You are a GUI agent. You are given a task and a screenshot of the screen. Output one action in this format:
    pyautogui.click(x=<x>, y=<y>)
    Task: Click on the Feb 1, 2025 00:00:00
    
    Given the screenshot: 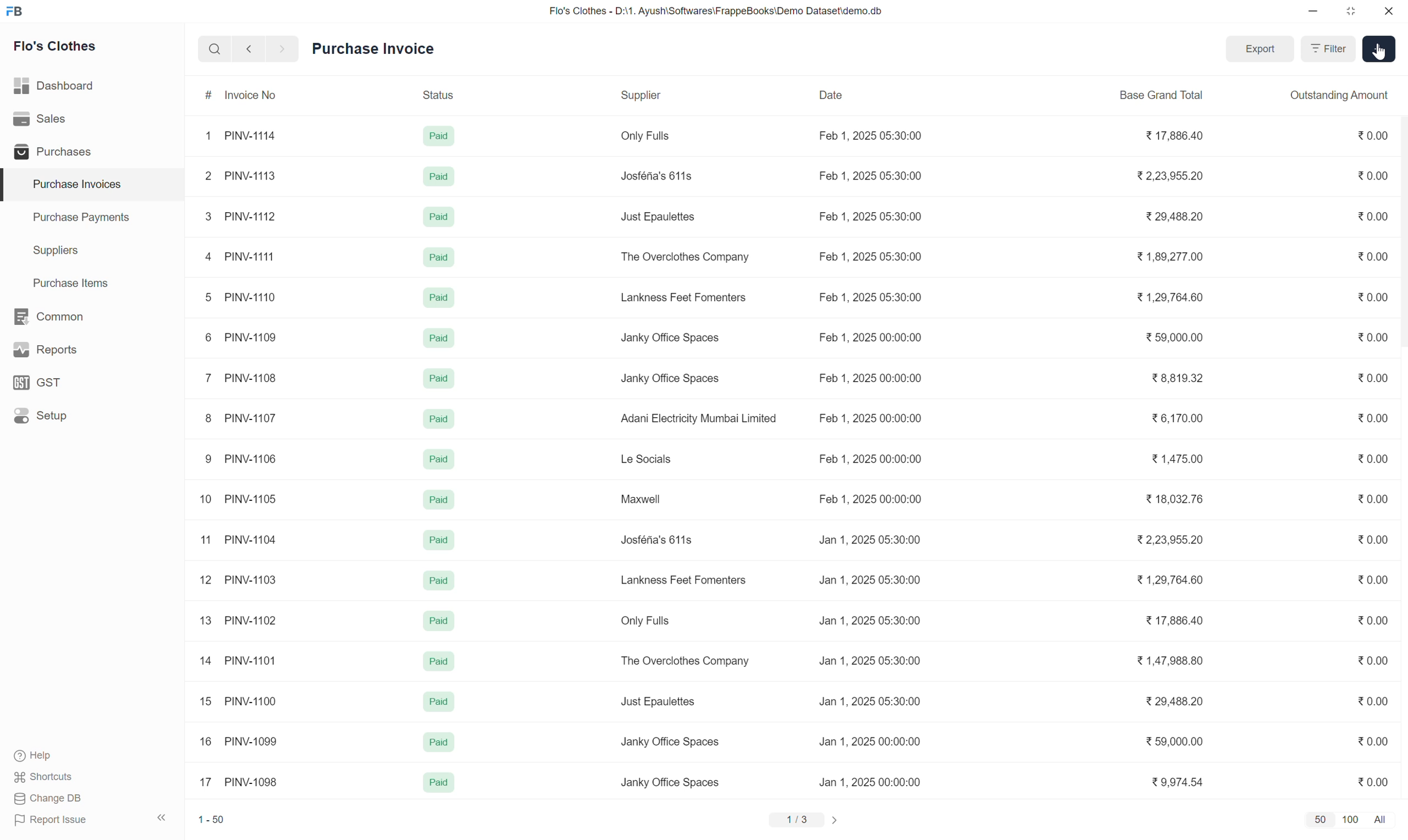 What is the action you would take?
    pyautogui.click(x=871, y=458)
    